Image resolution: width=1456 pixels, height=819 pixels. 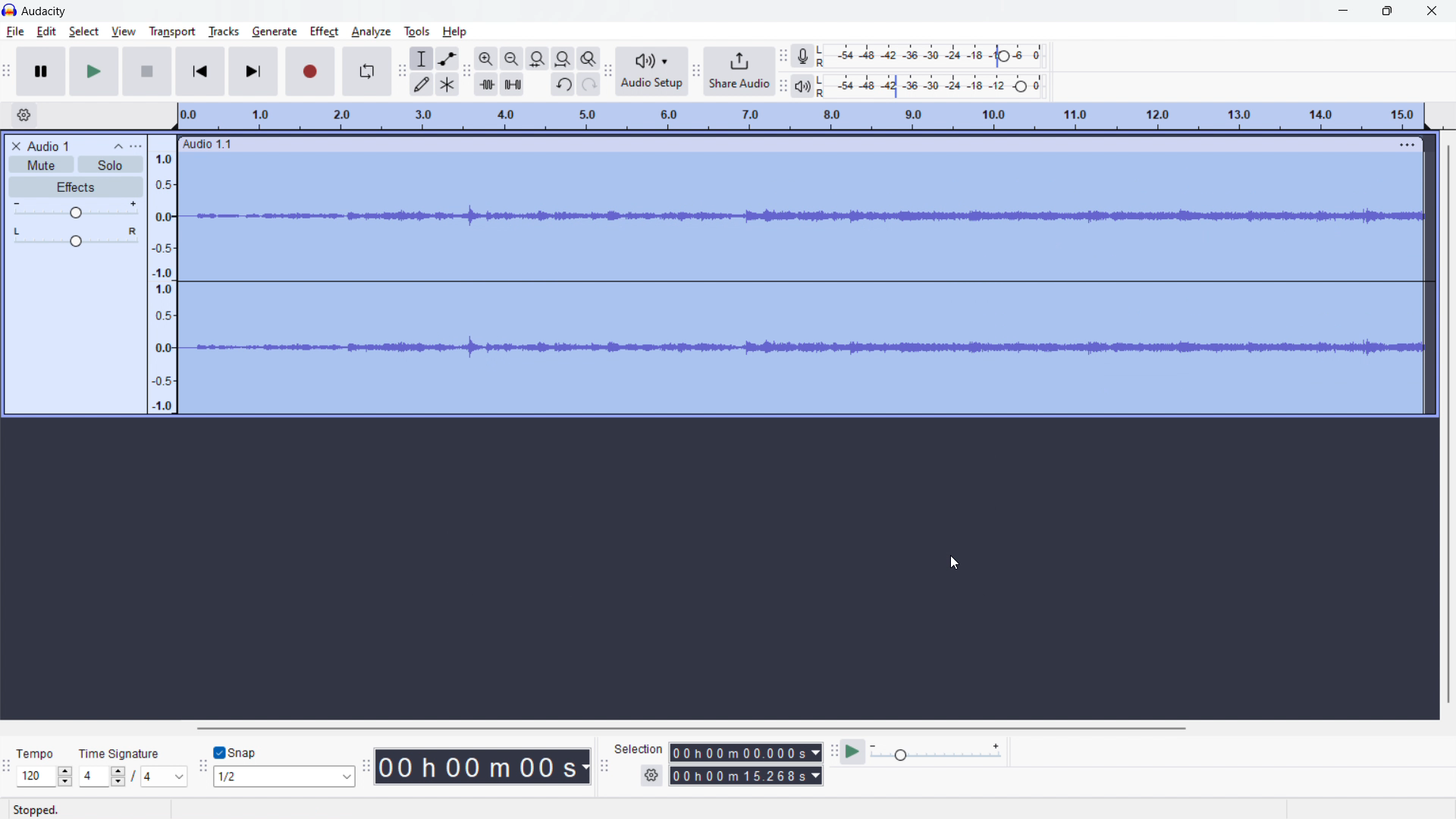 What do you see at coordinates (783, 56) in the screenshot?
I see `recording meter toolbar` at bounding box center [783, 56].